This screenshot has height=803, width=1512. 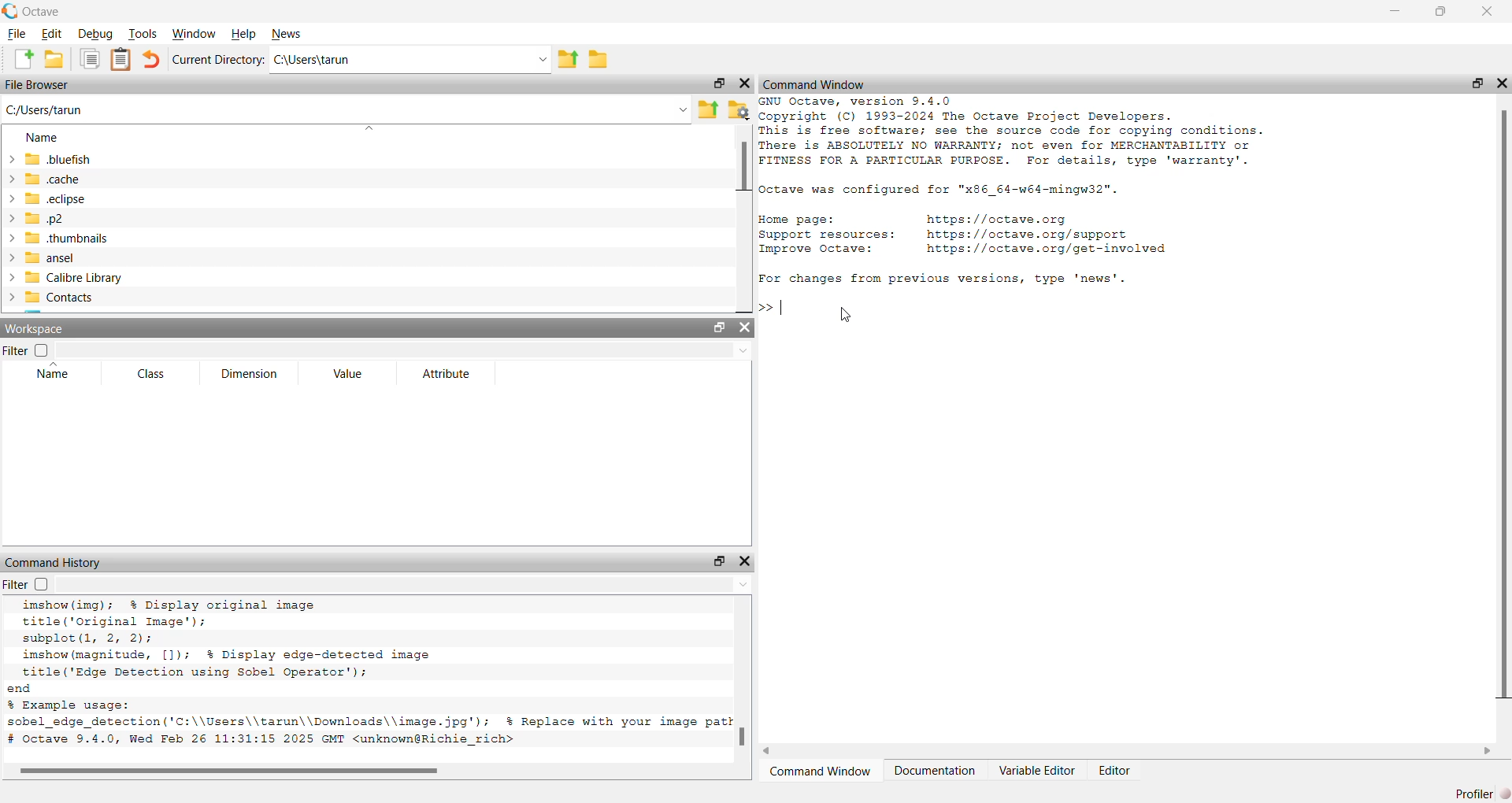 What do you see at coordinates (1473, 86) in the screenshot?
I see `restore down` at bounding box center [1473, 86].